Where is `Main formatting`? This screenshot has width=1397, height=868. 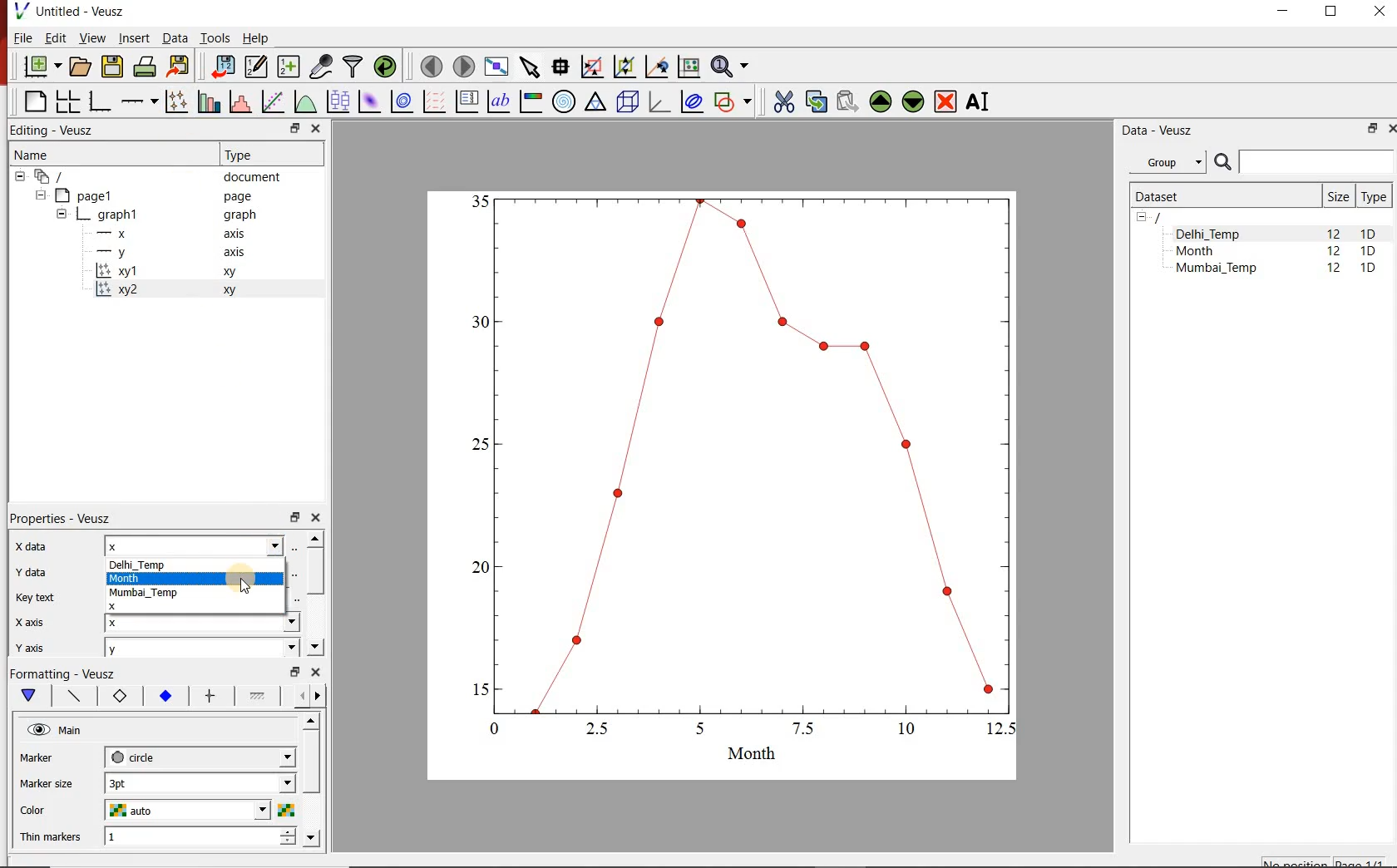
Main formatting is located at coordinates (26, 696).